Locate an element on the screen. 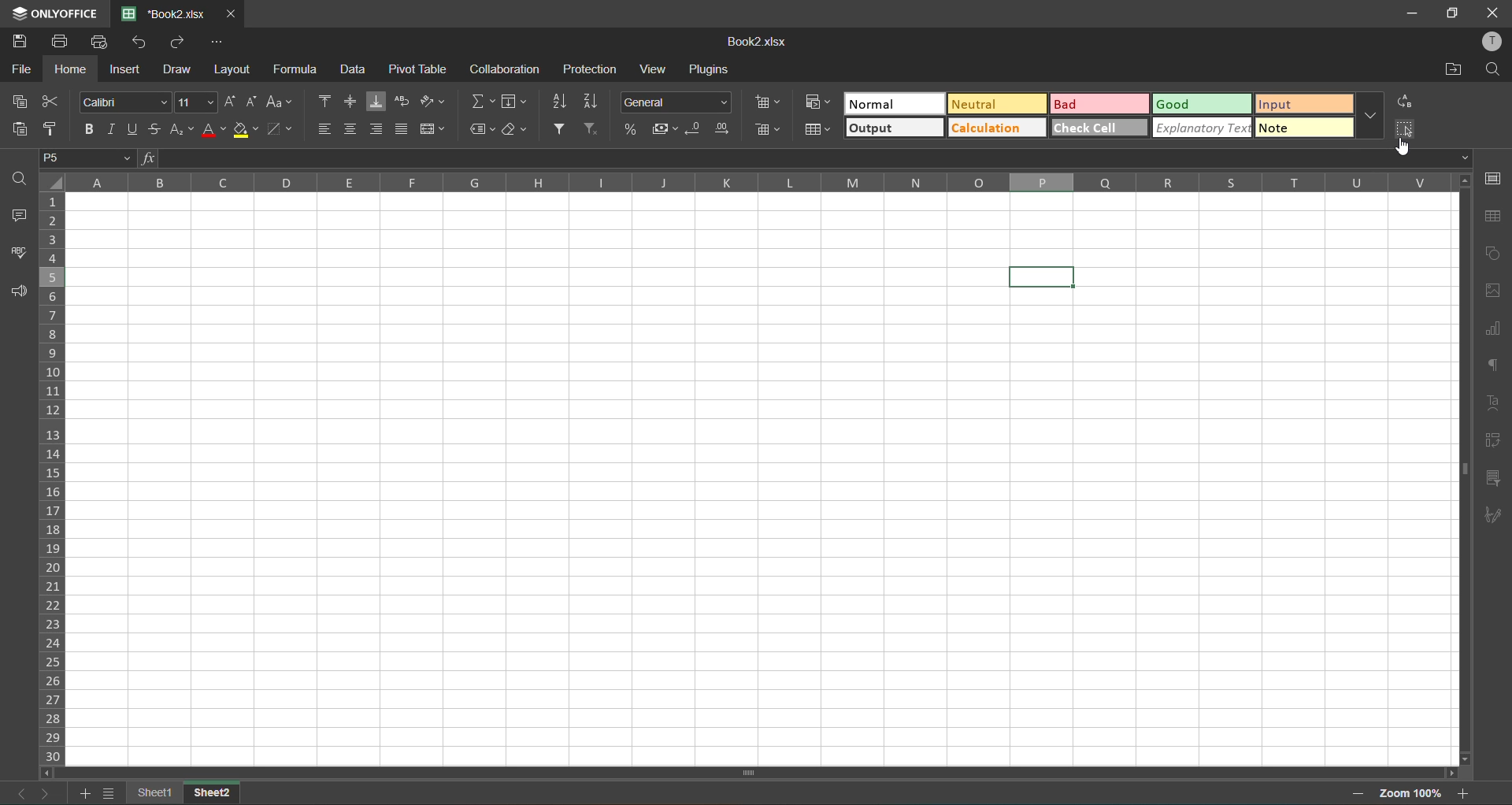 The image size is (1512, 805). sort ascending is located at coordinates (564, 103).